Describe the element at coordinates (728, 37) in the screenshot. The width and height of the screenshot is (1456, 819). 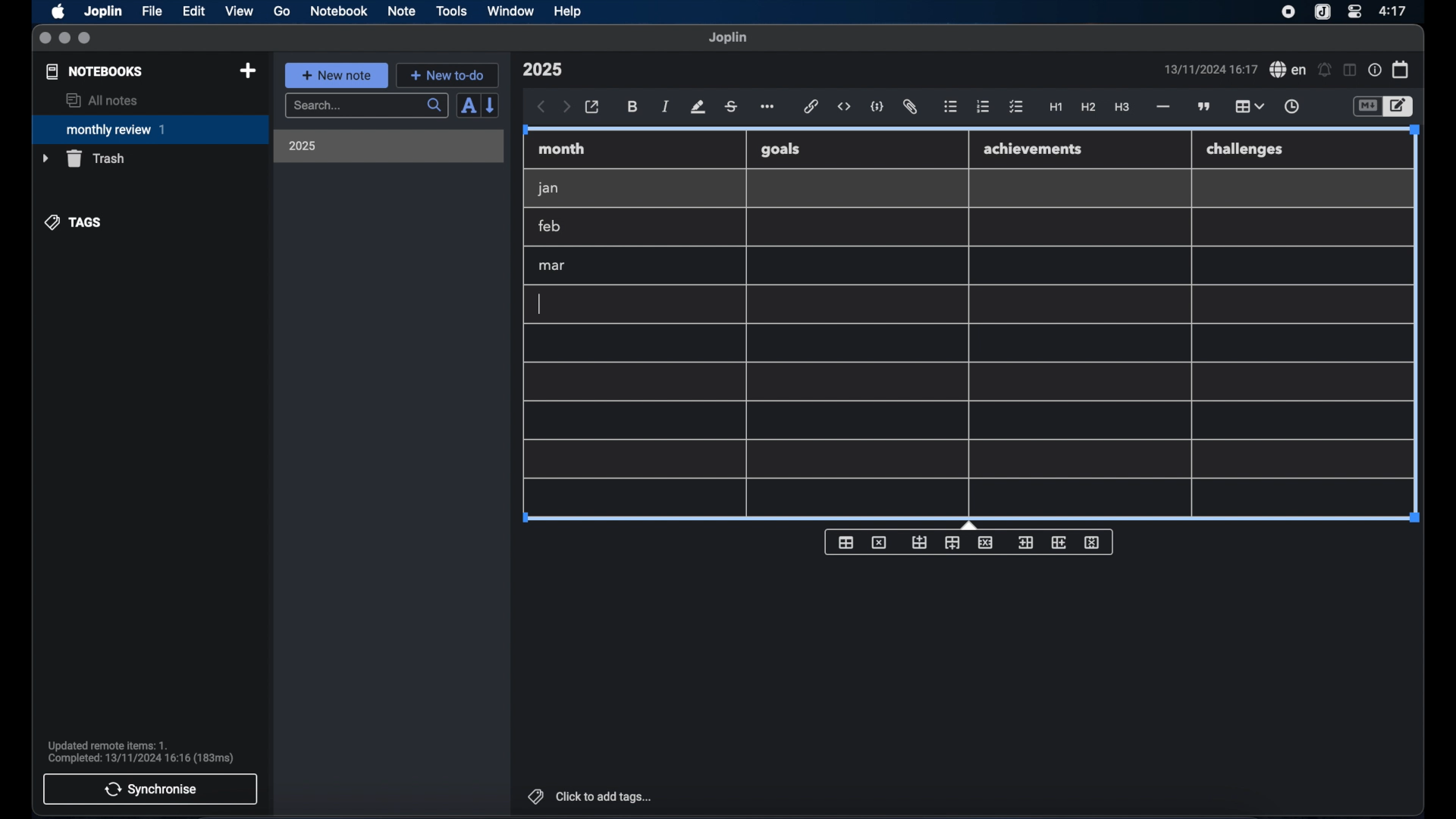
I see `joplin` at that location.